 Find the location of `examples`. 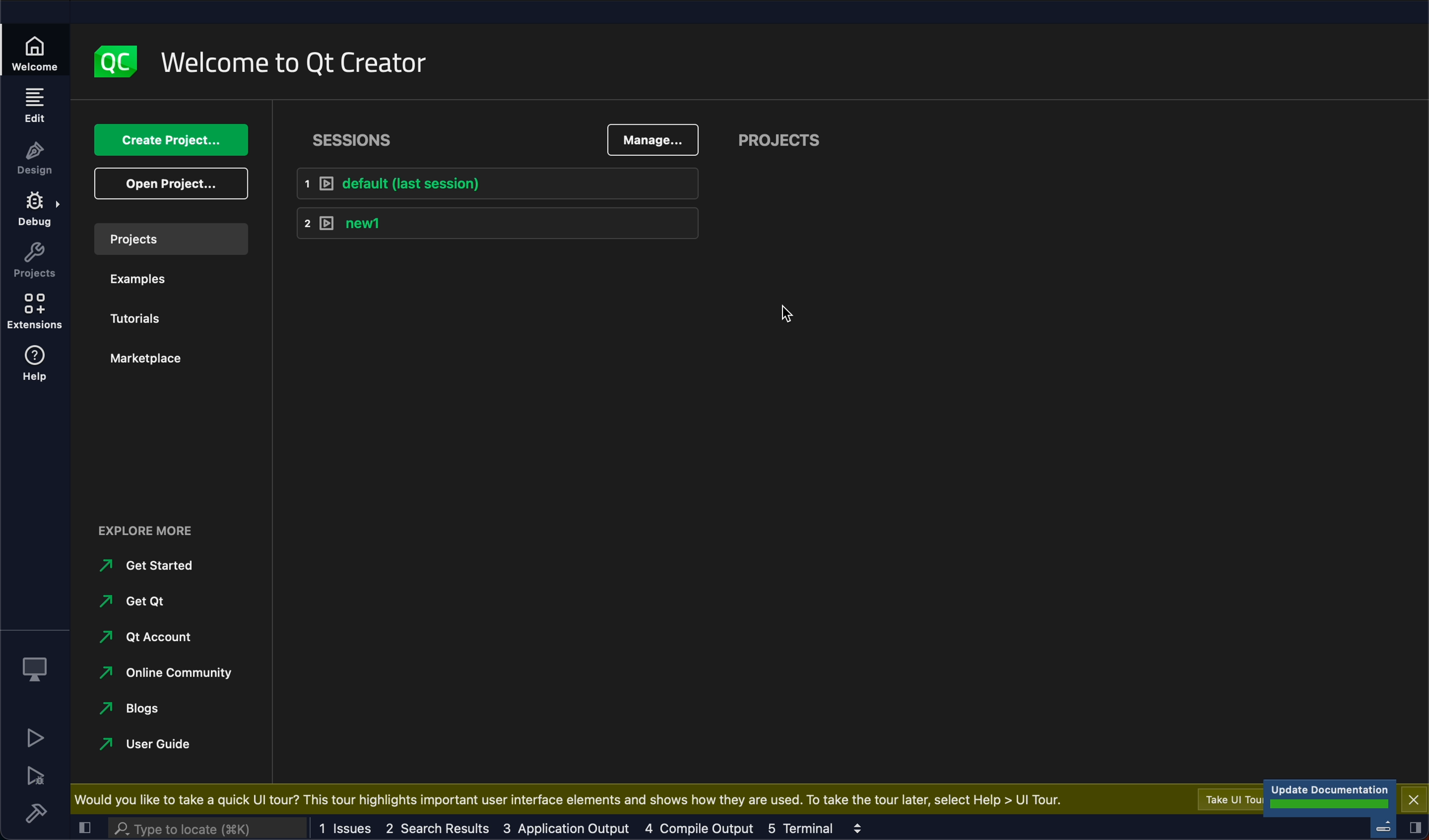

examples is located at coordinates (146, 278).